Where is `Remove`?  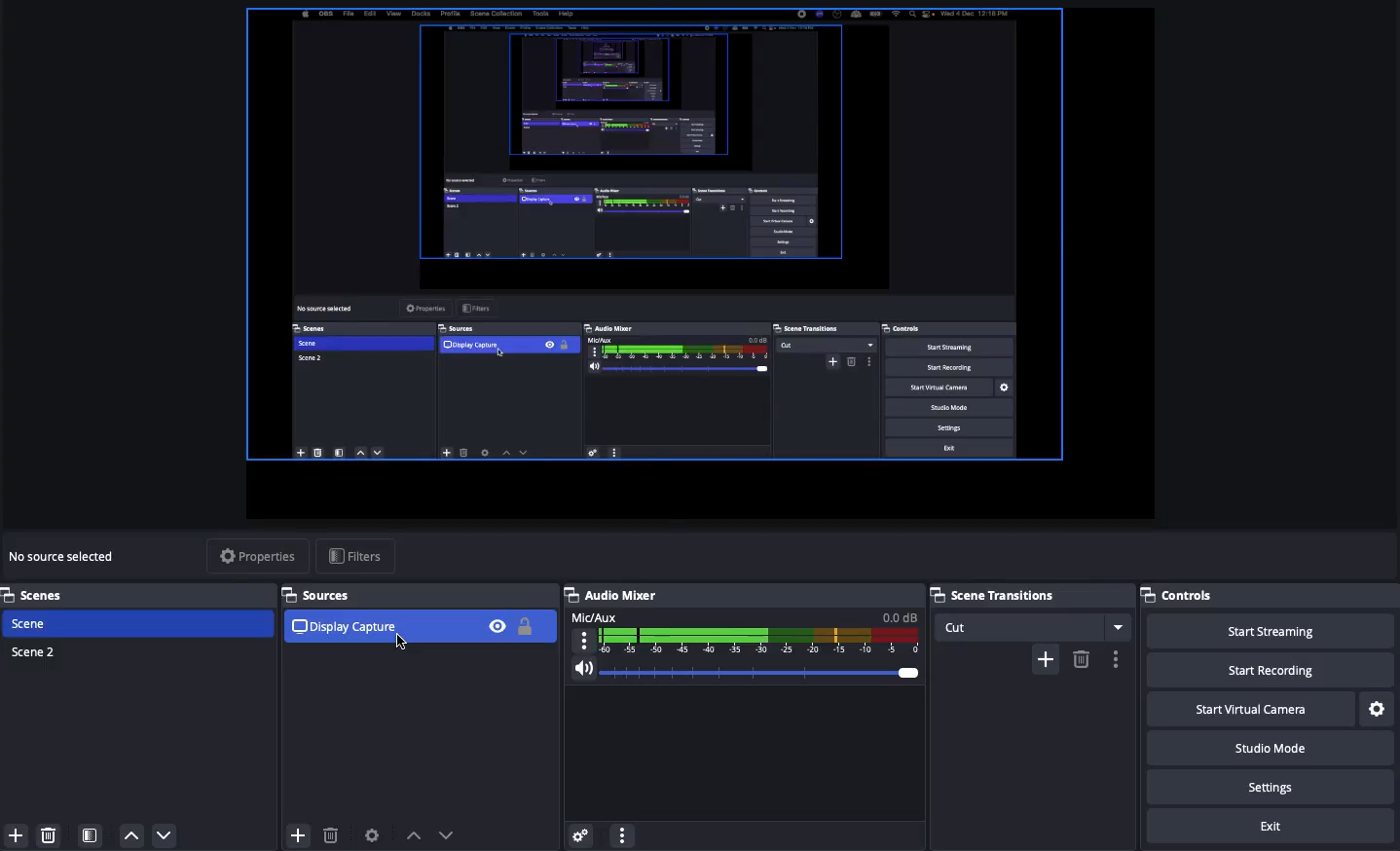
Remove is located at coordinates (48, 833).